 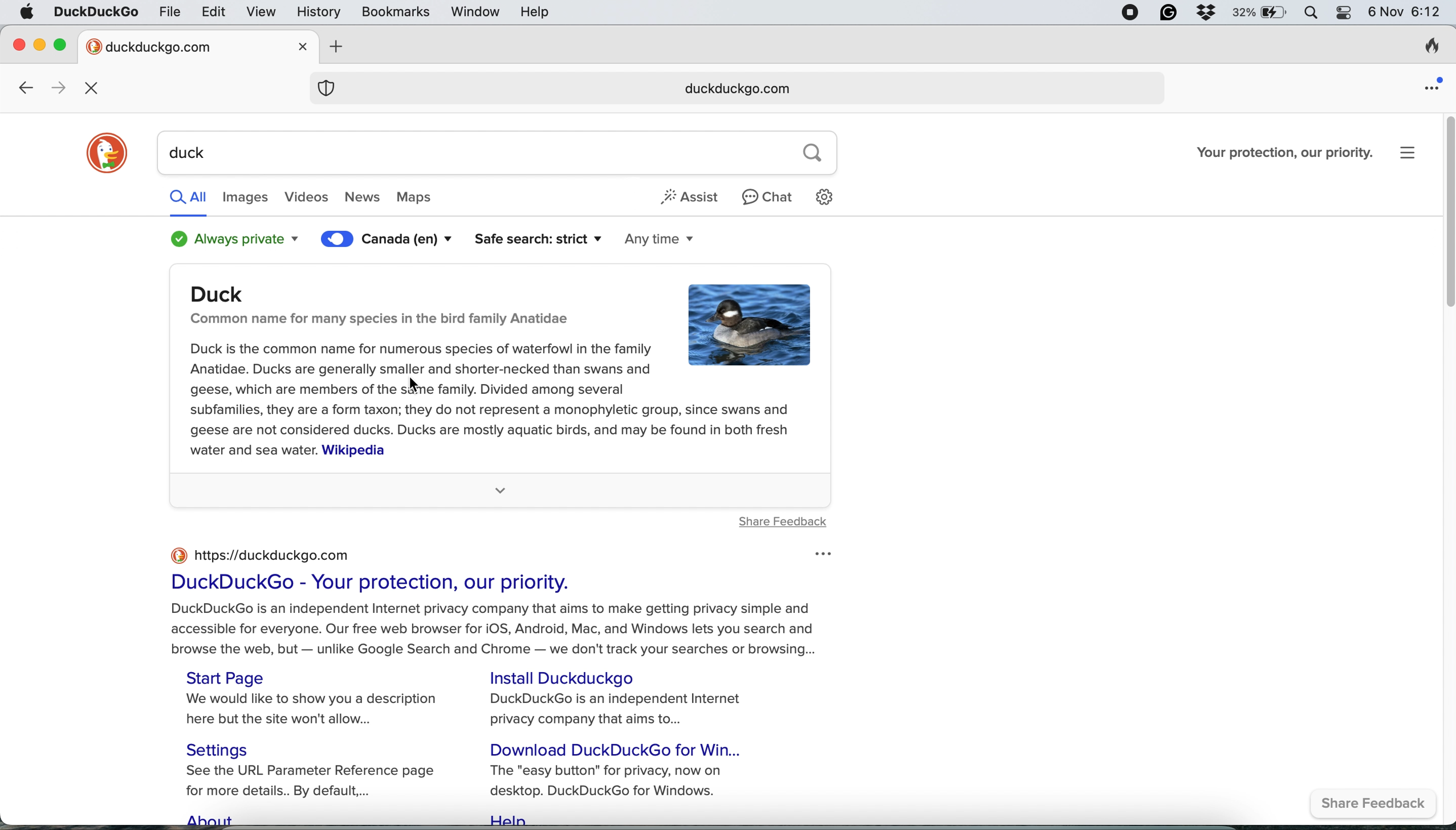 I want to click on go back, so click(x=25, y=89).